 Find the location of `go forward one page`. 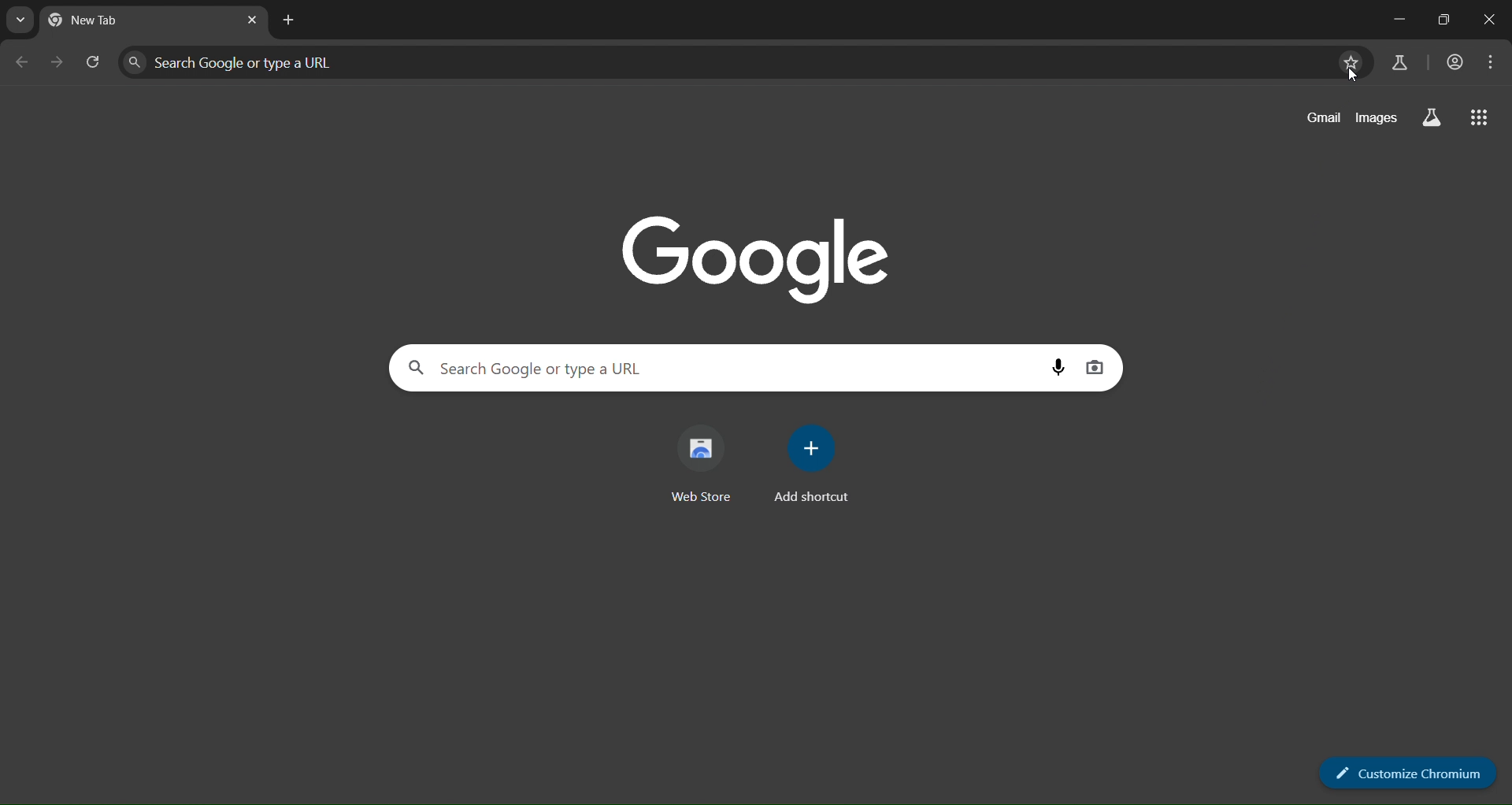

go forward one page is located at coordinates (59, 63).